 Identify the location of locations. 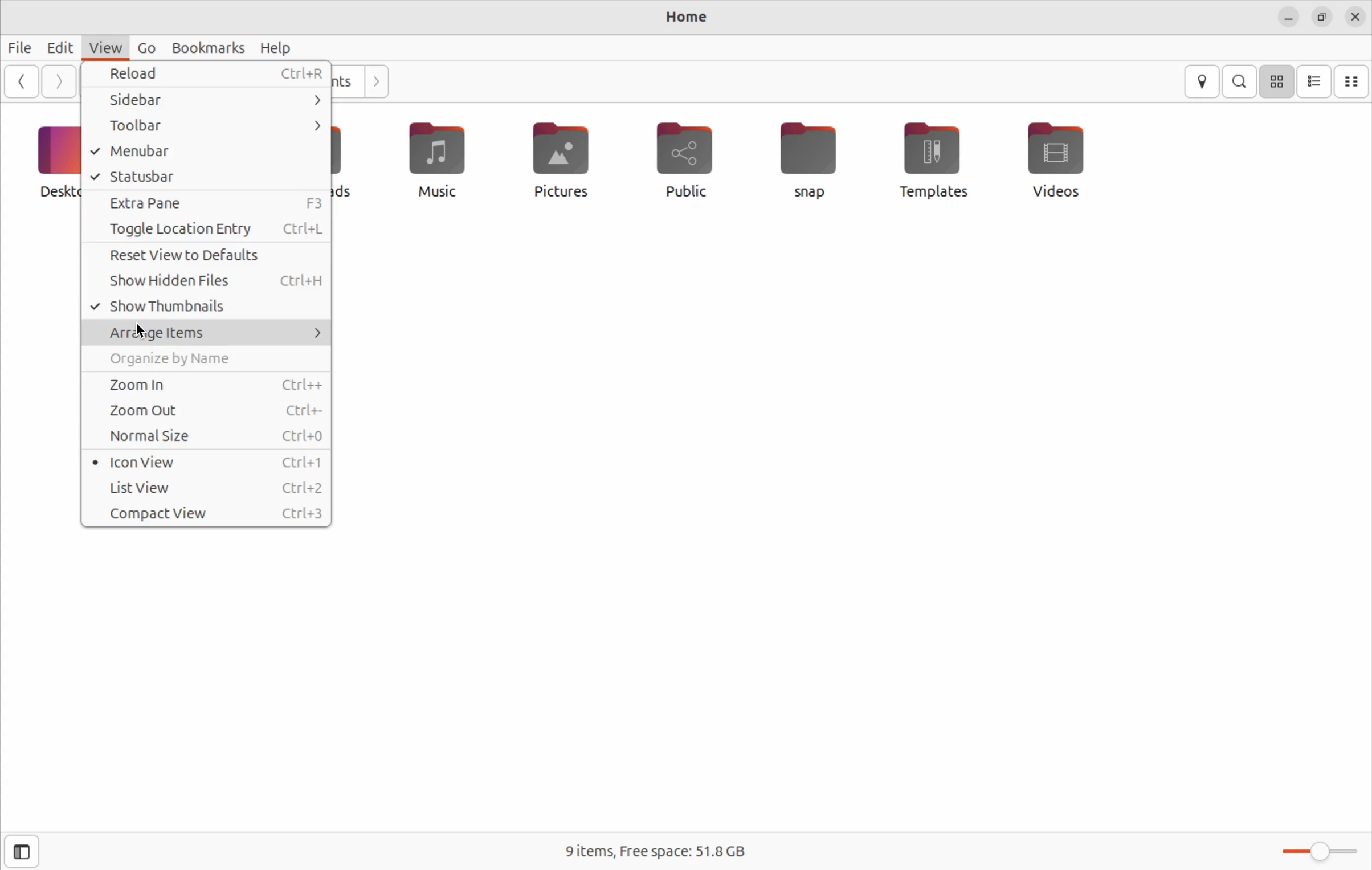
(1201, 81).